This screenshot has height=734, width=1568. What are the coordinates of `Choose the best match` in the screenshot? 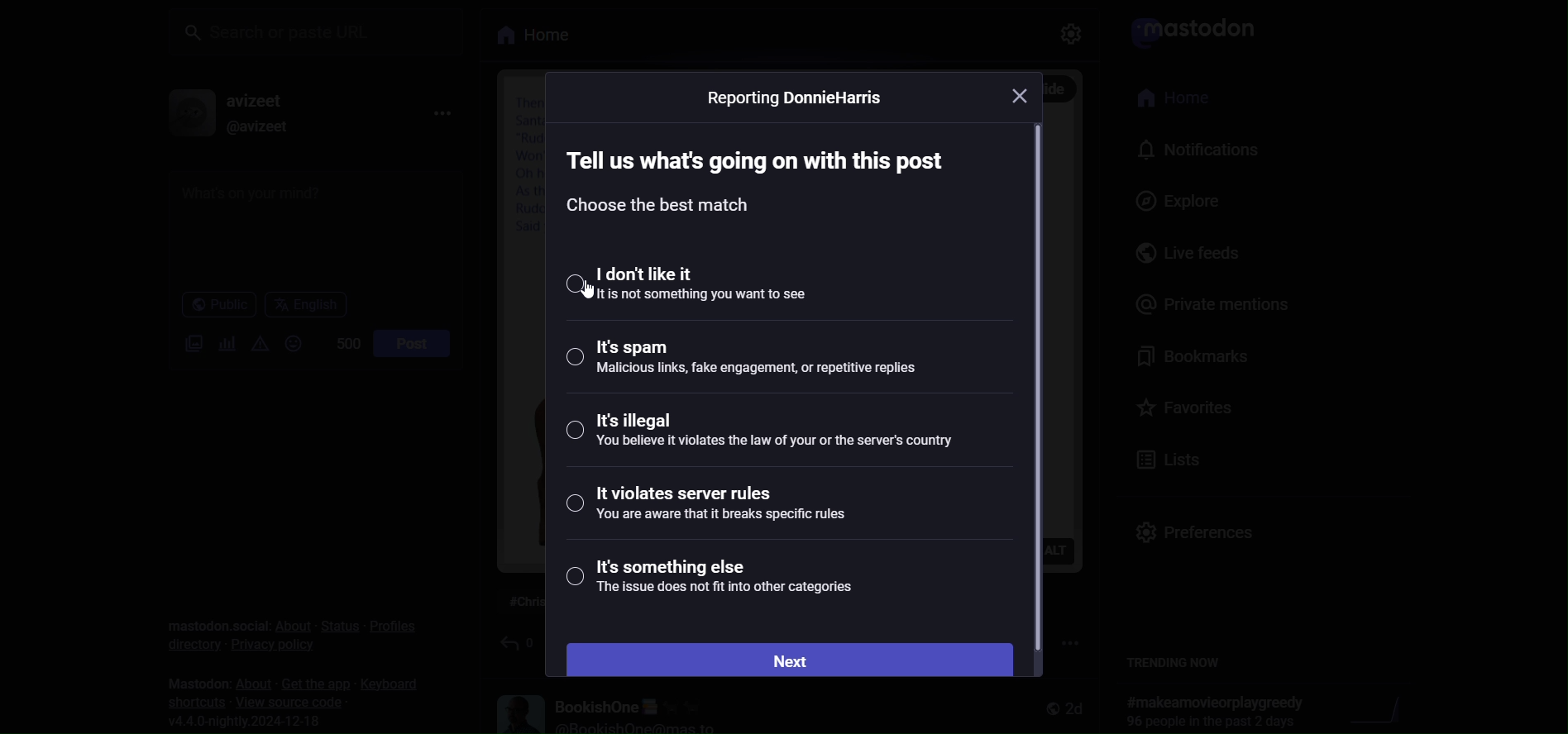 It's located at (663, 209).